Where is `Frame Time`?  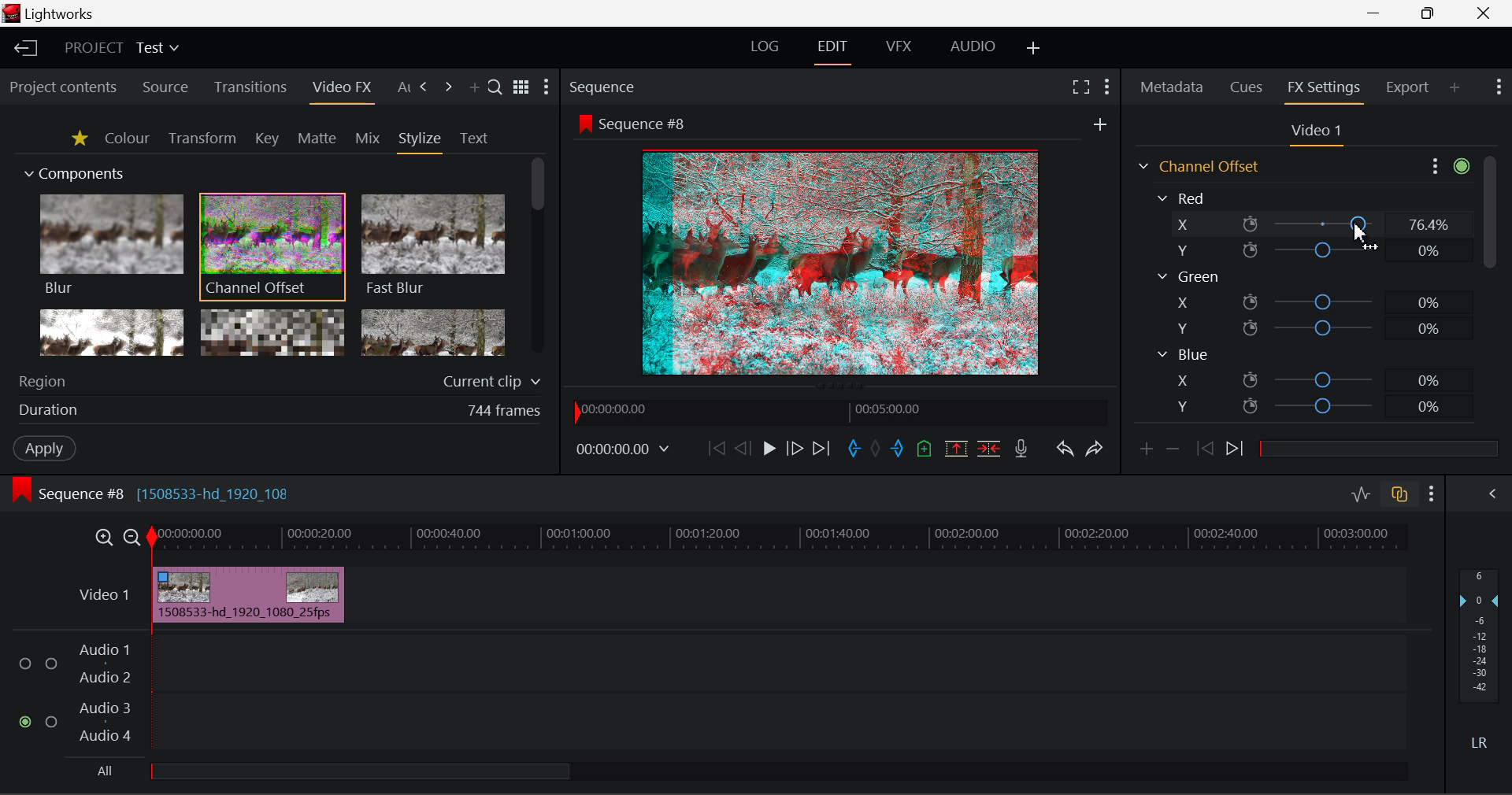 Frame Time is located at coordinates (623, 451).